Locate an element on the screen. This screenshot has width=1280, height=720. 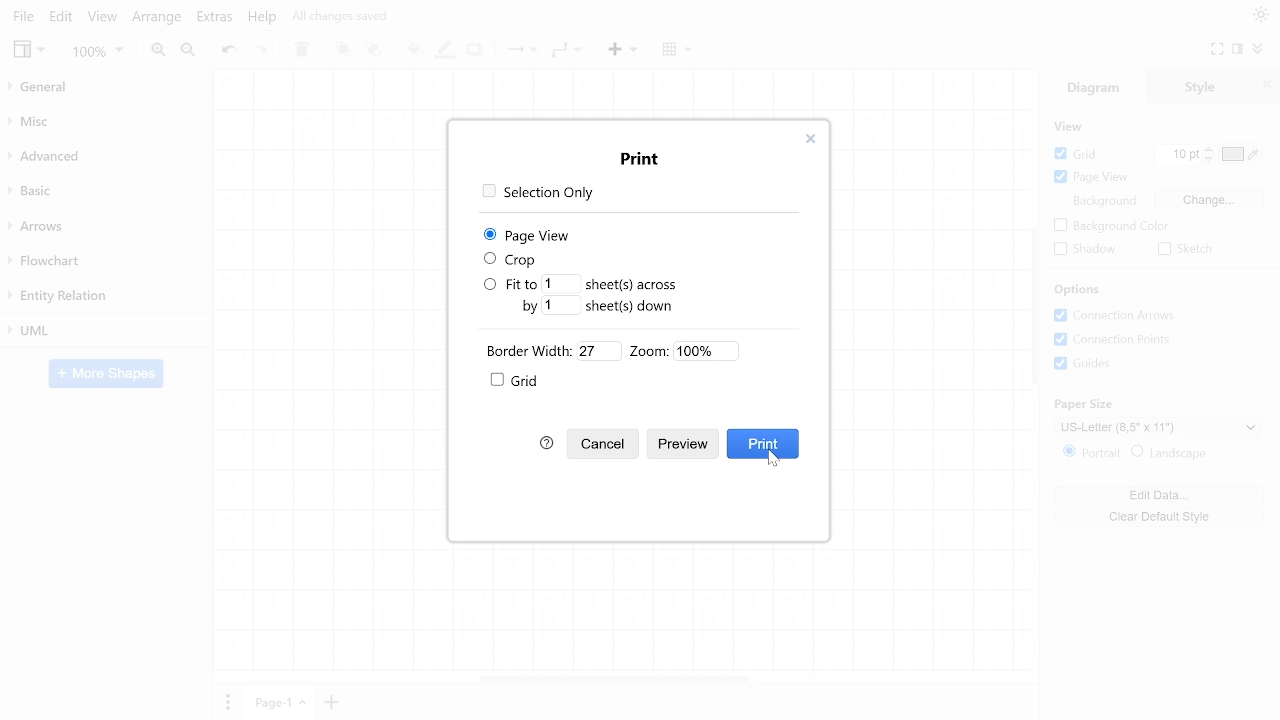
Print is located at coordinates (766, 443).